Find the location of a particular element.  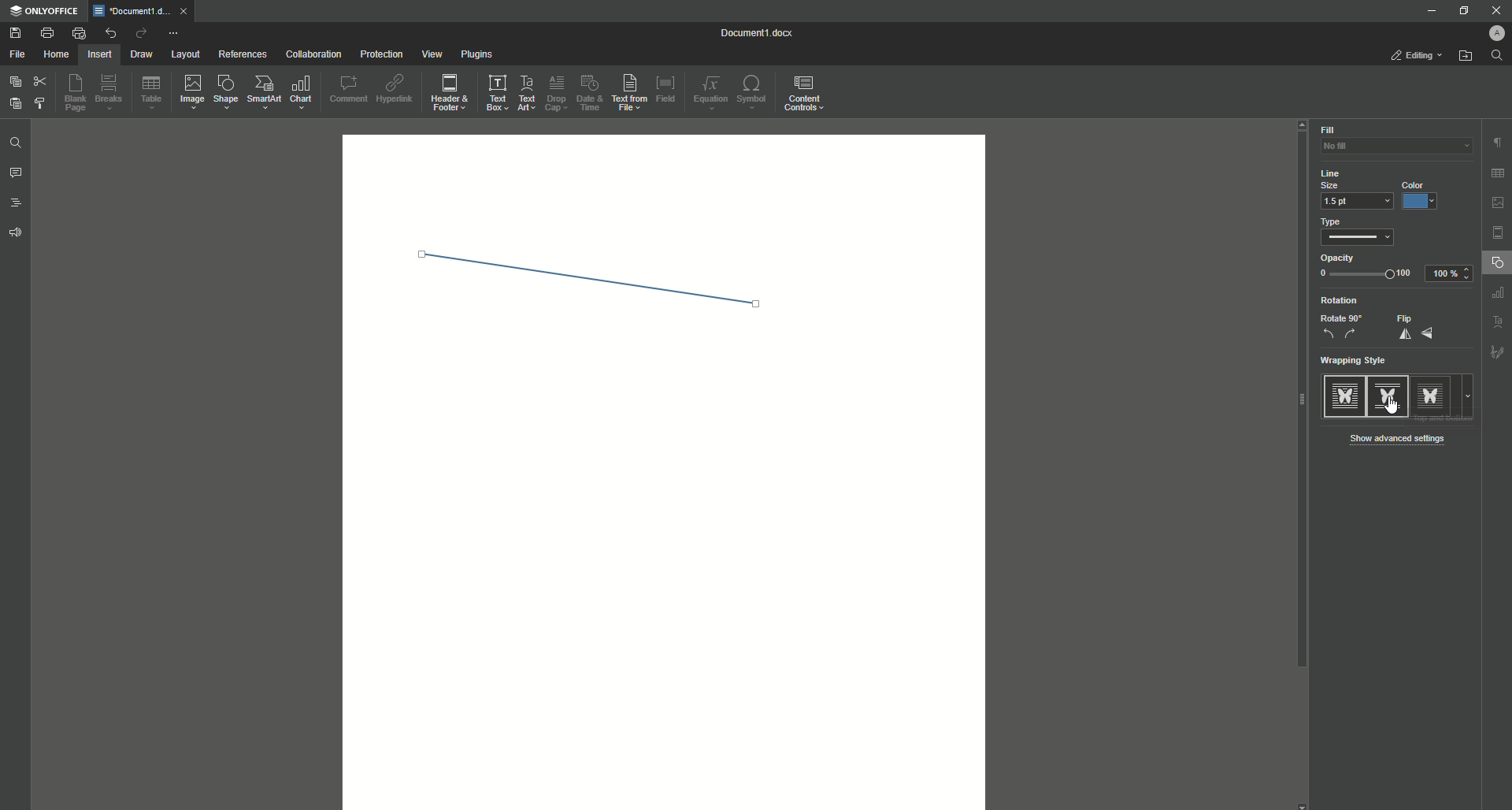

Shape is located at coordinates (228, 95).